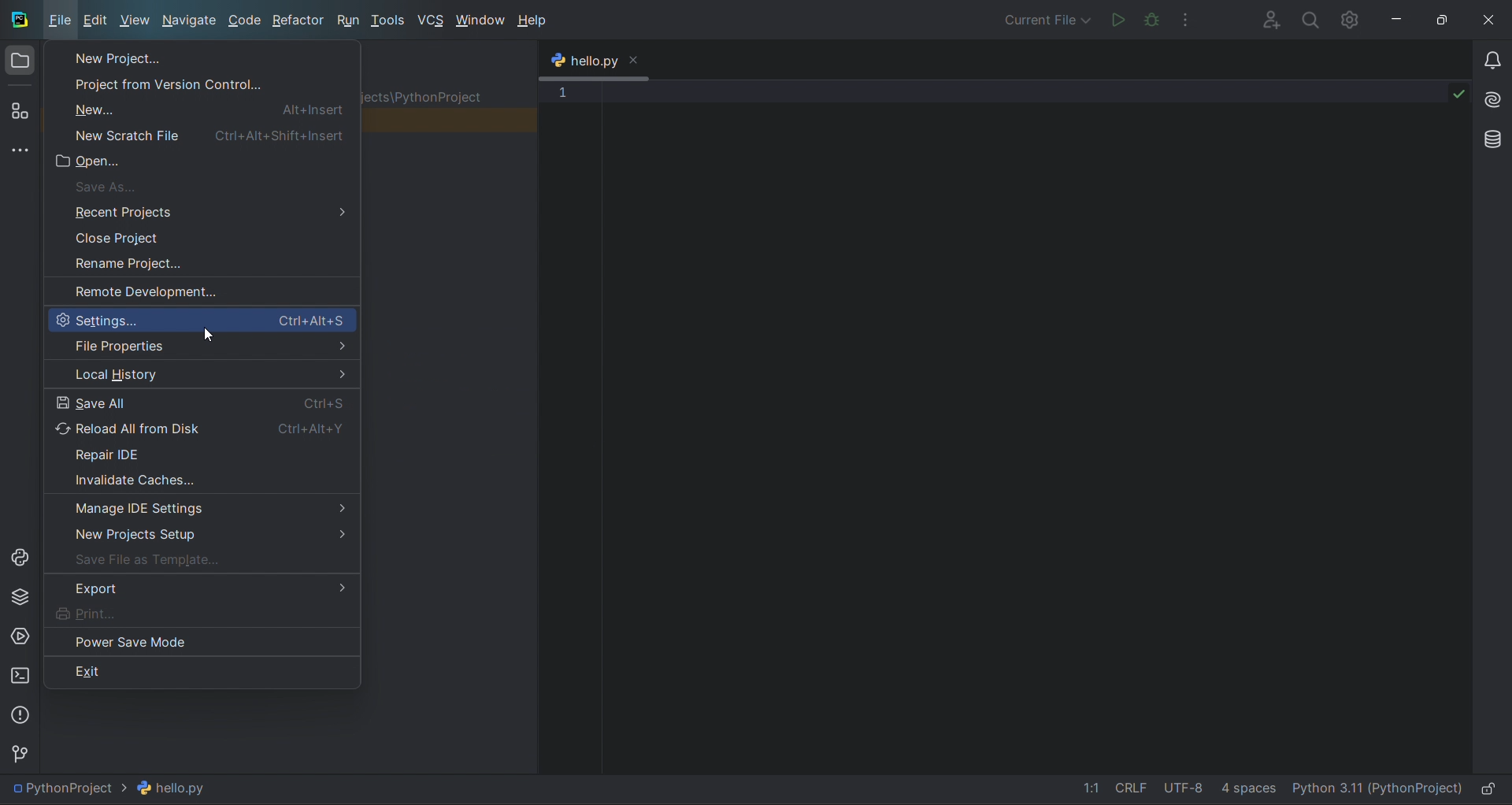 The image size is (1512, 805). What do you see at coordinates (202, 614) in the screenshot?
I see `print` at bounding box center [202, 614].